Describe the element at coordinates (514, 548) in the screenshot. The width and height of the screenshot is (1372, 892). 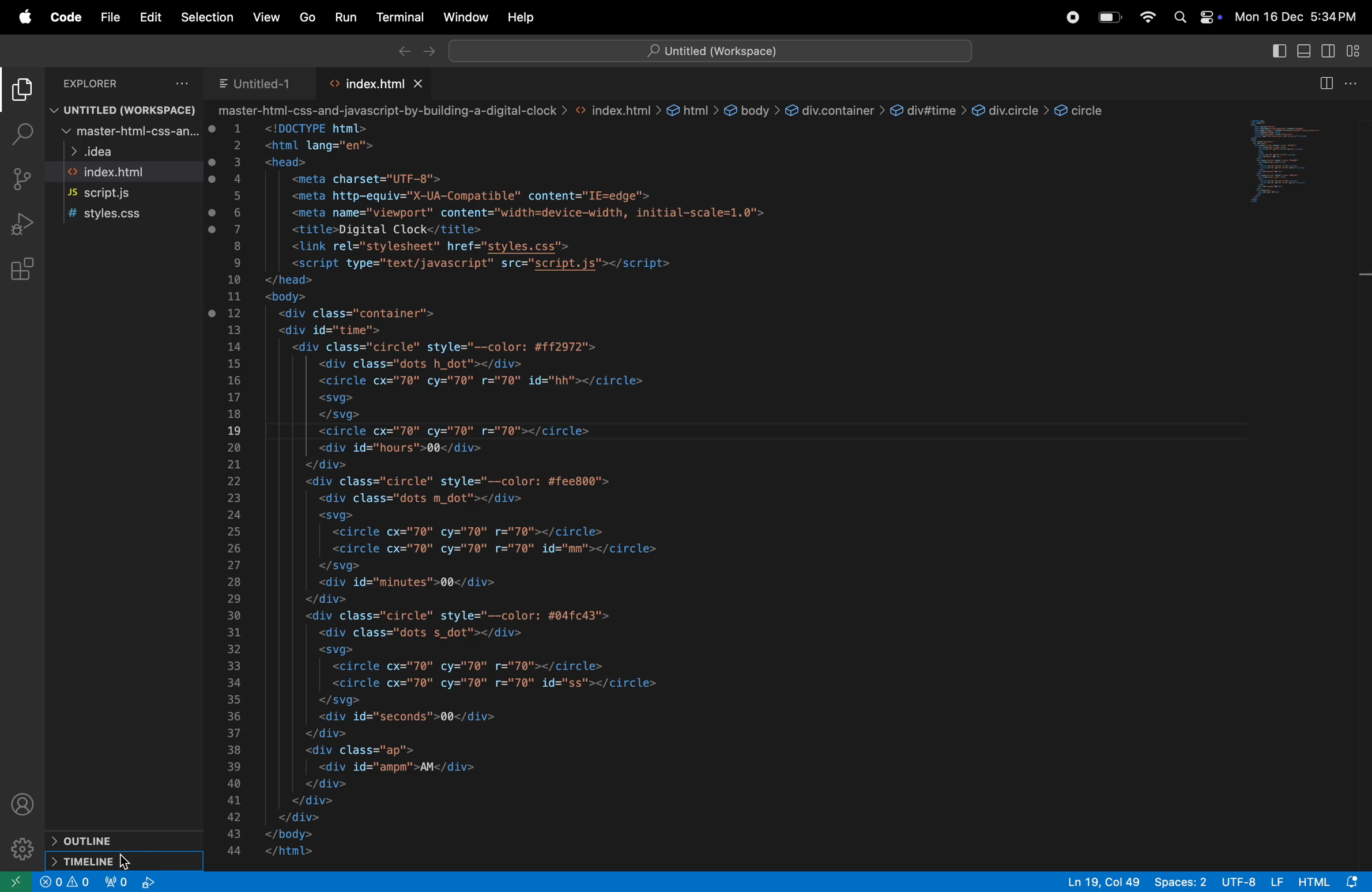
I see `<circle cx="70" cy="70" r="70" id="mm"></circle>` at that location.